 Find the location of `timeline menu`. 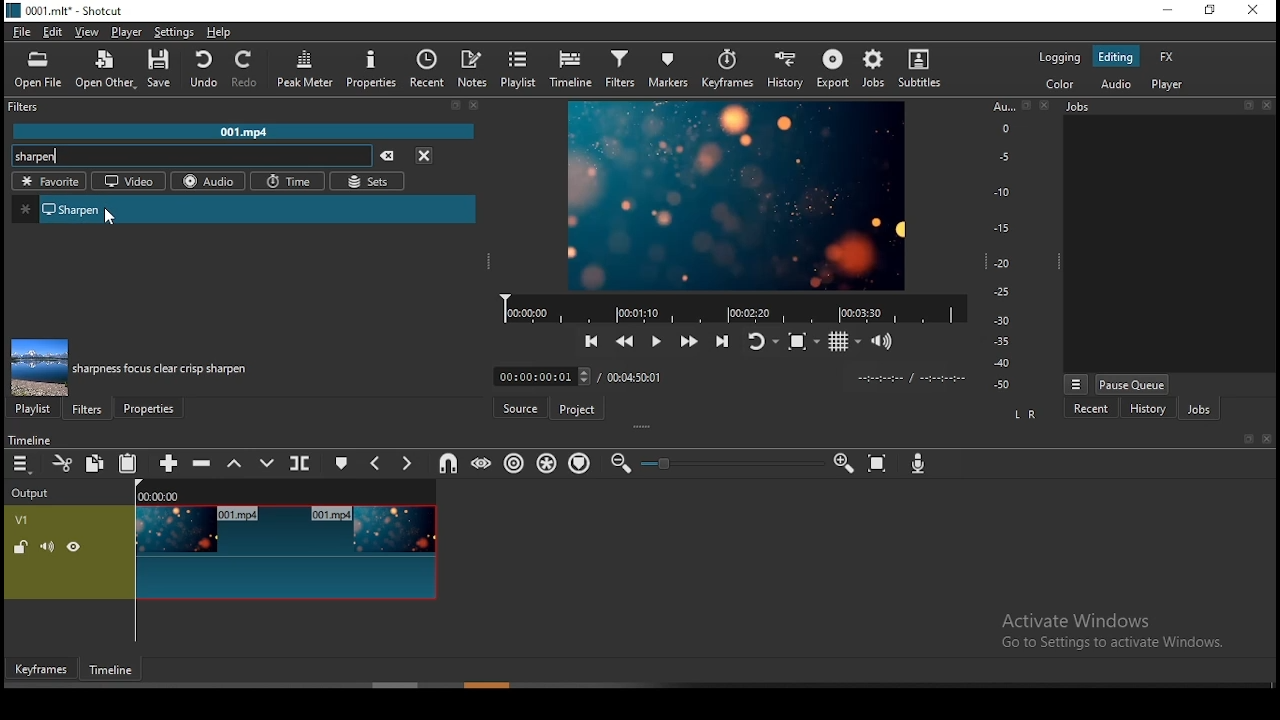

timeline menu is located at coordinates (22, 463).